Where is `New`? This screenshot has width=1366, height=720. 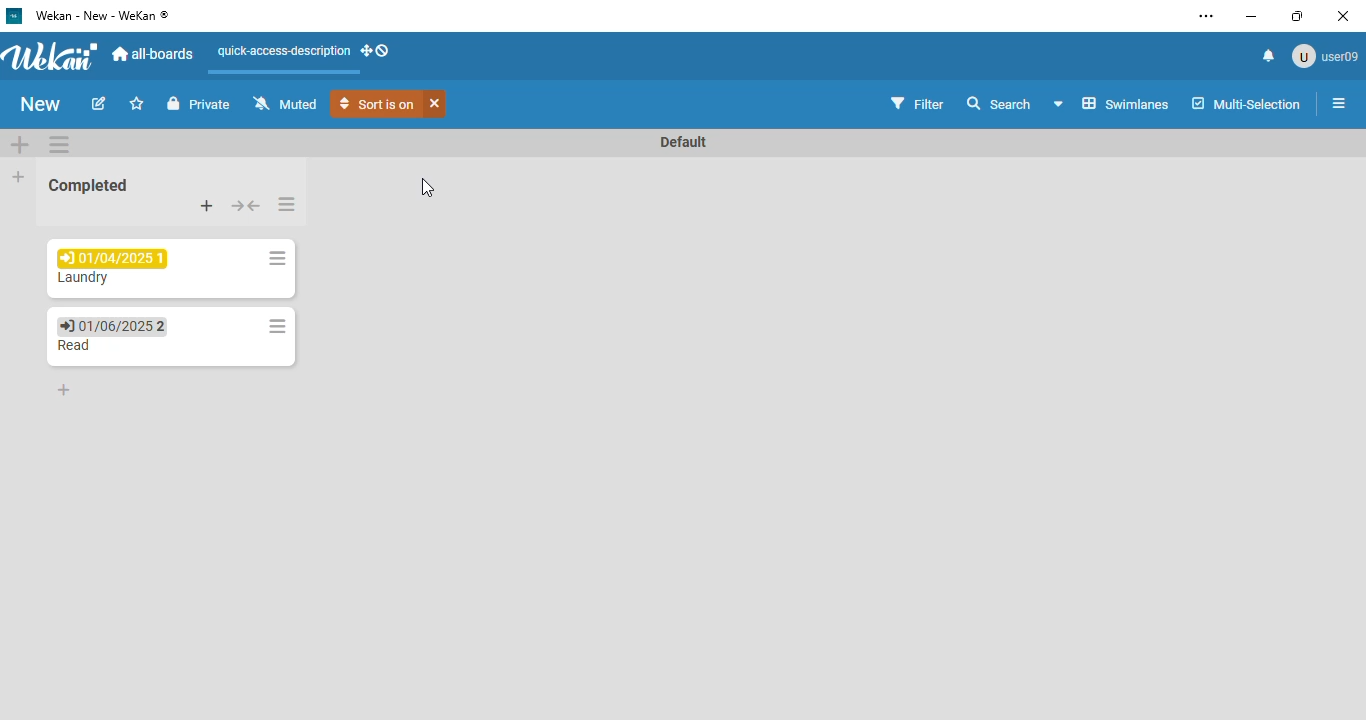 New is located at coordinates (38, 105).